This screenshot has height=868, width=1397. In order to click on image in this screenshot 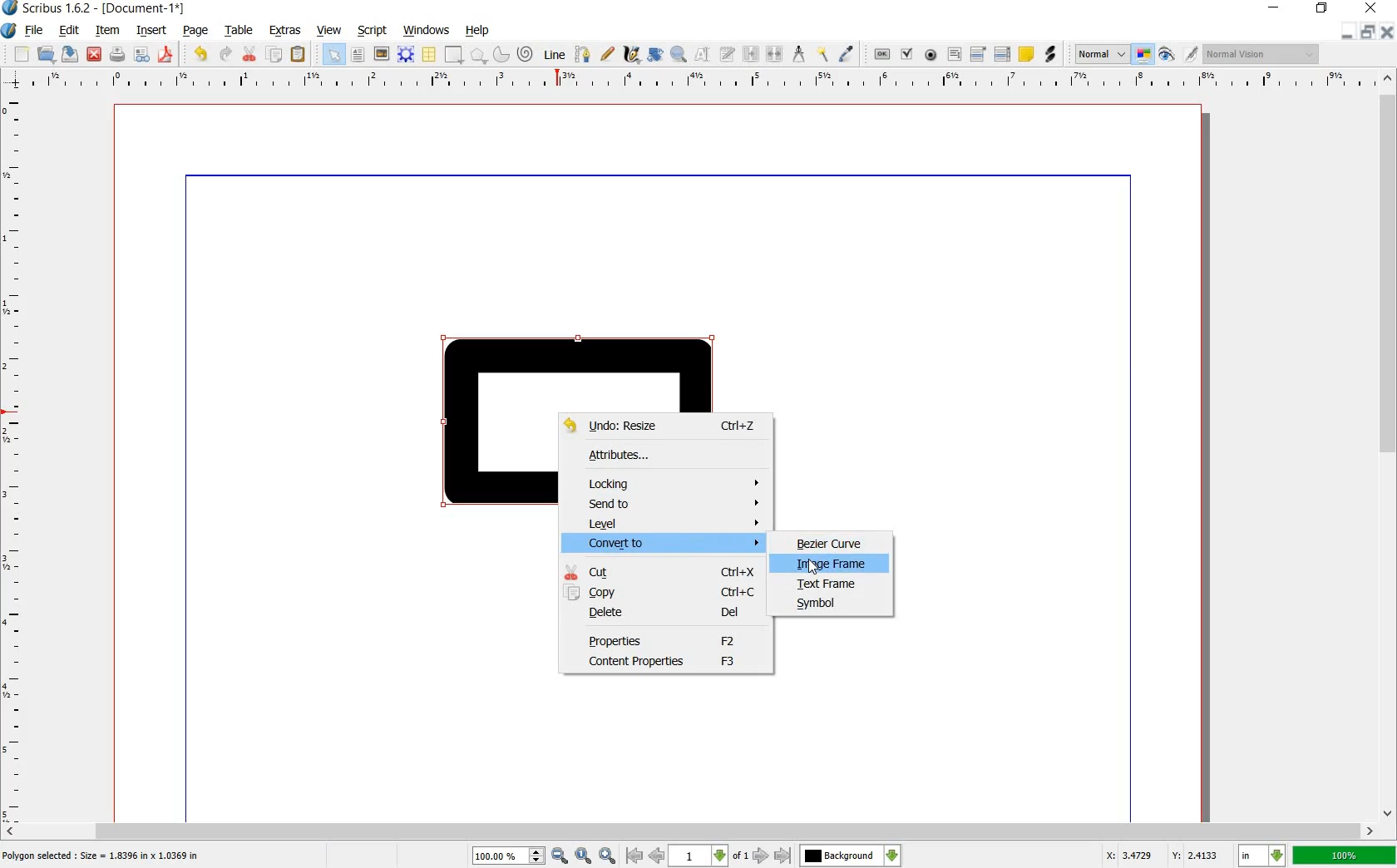, I will do `click(380, 53)`.